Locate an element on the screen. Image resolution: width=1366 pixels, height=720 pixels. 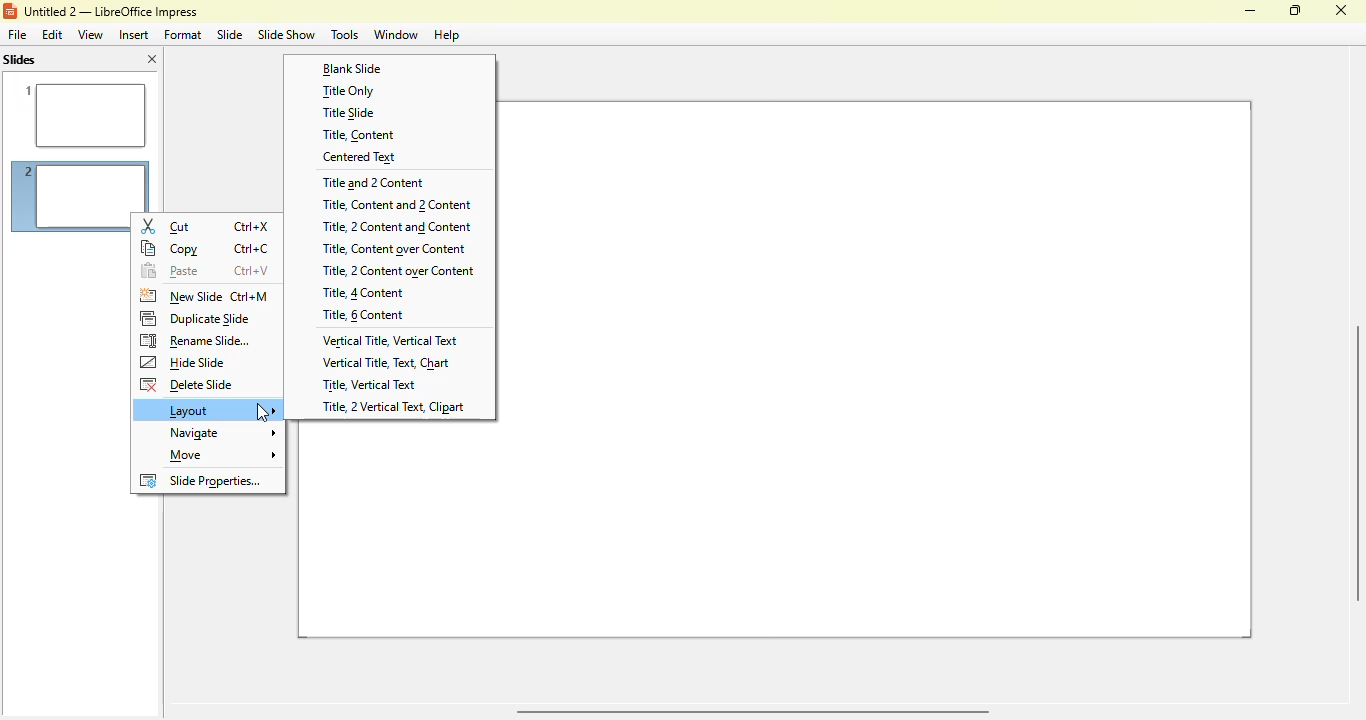
title and 2 content is located at coordinates (373, 183).